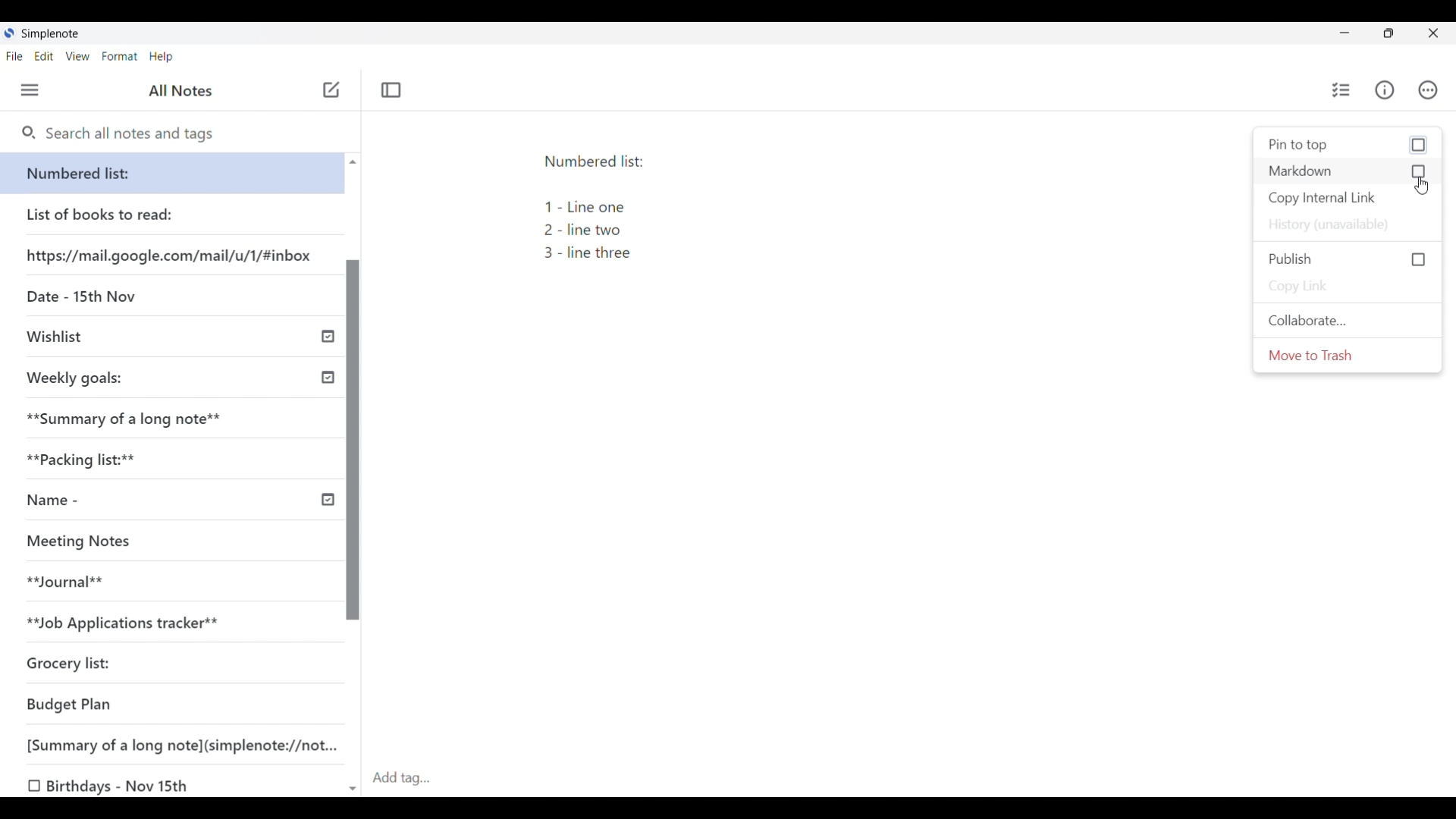 The height and width of the screenshot is (819, 1456). What do you see at coordinates (1347, 355) in the screenshot?
I see `Move current note to trash` at bounding box center [1347, 355].